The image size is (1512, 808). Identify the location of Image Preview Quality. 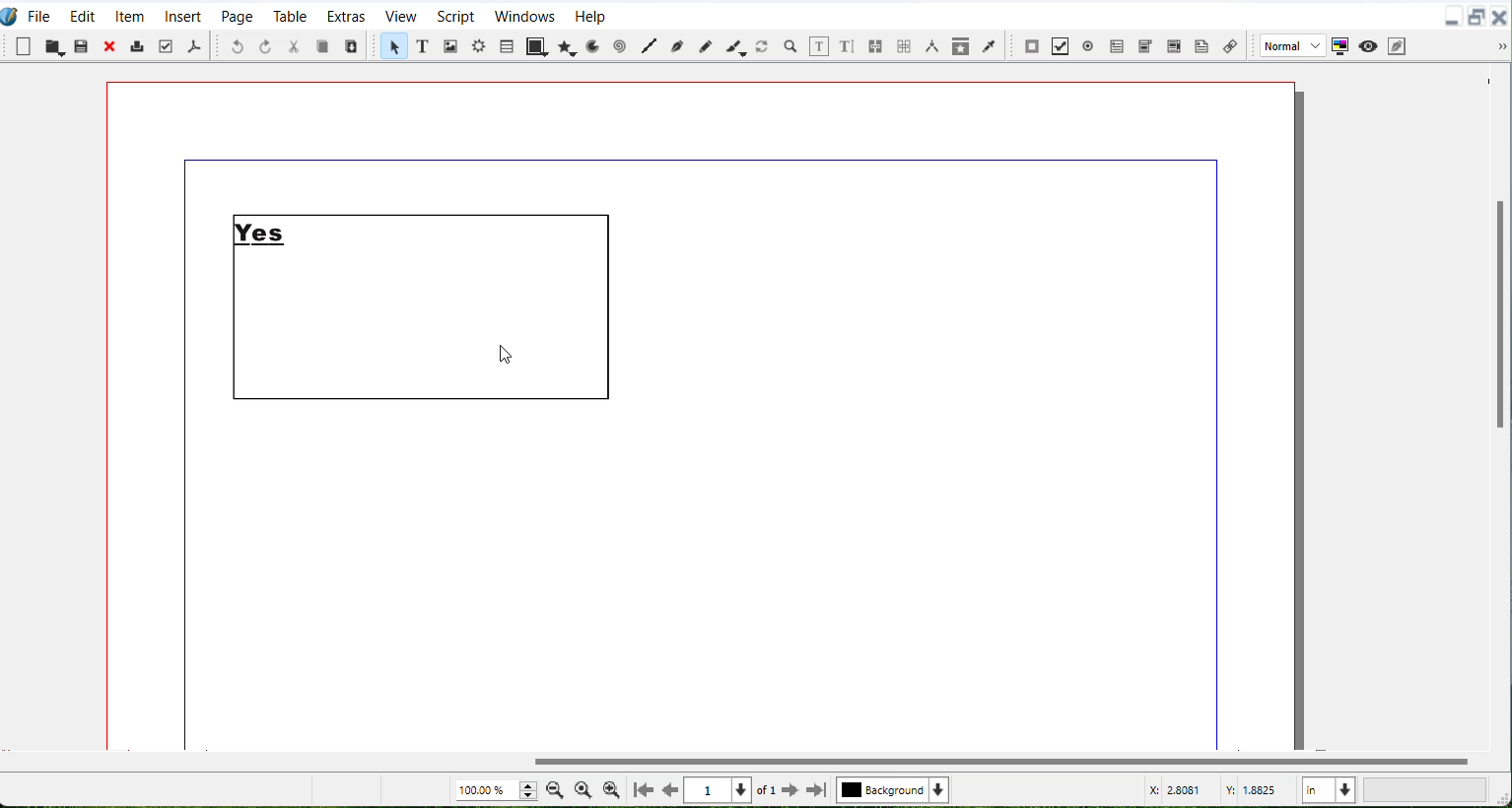
(1290, 45).